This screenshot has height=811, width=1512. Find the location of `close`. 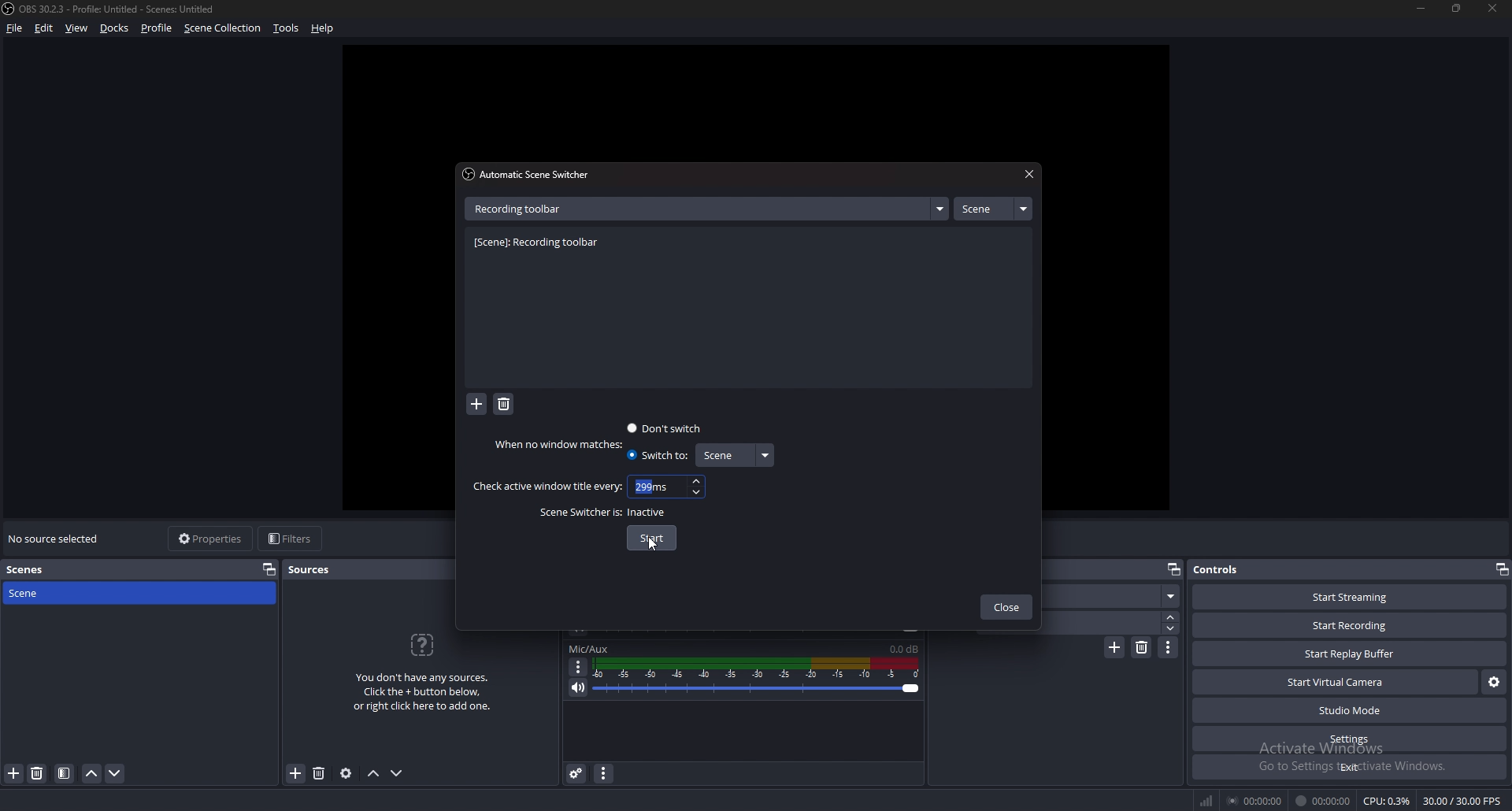

close is located at coordinates (1027, 175).